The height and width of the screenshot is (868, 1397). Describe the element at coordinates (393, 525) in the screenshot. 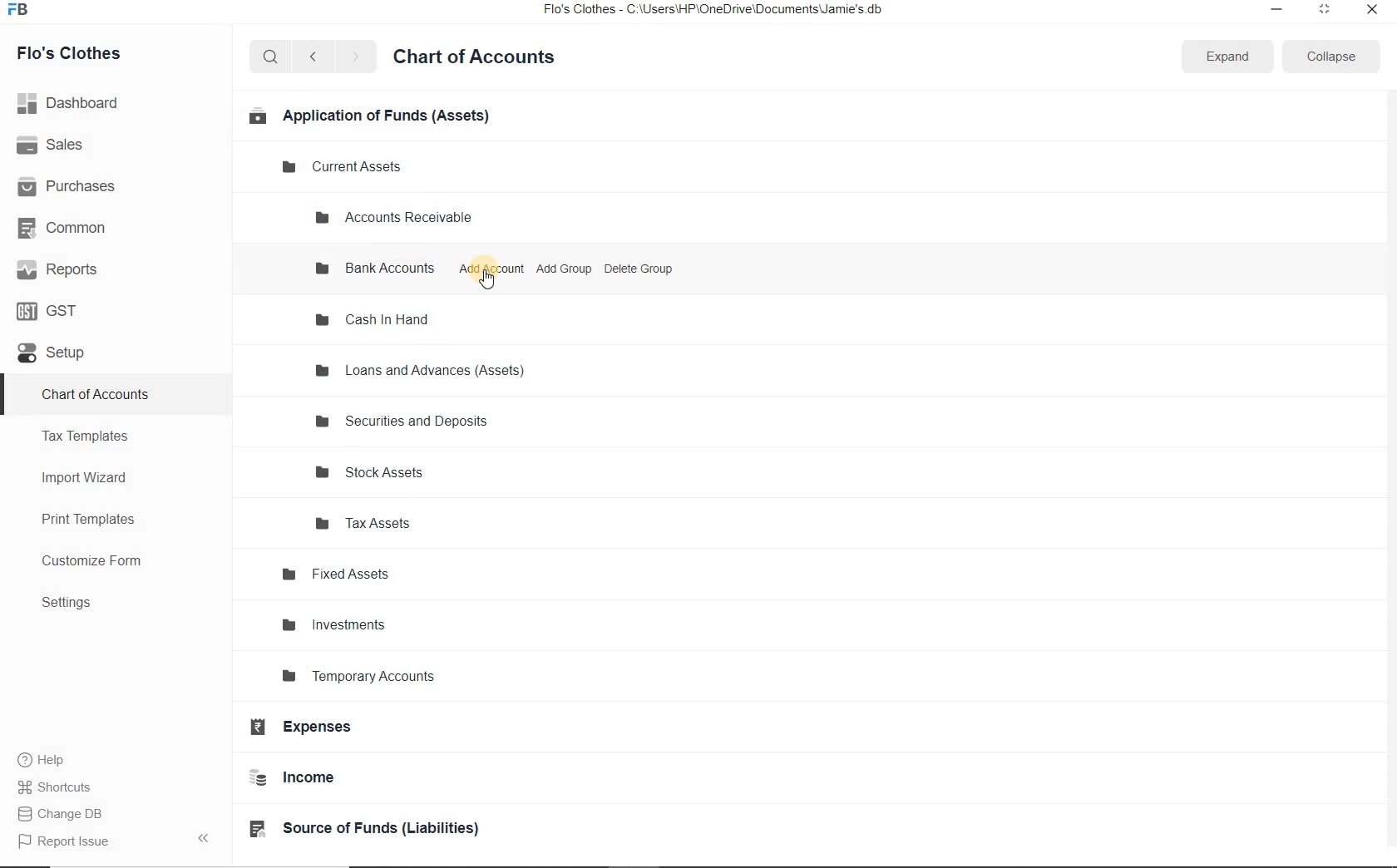

I see `Tax Assets` at that location.